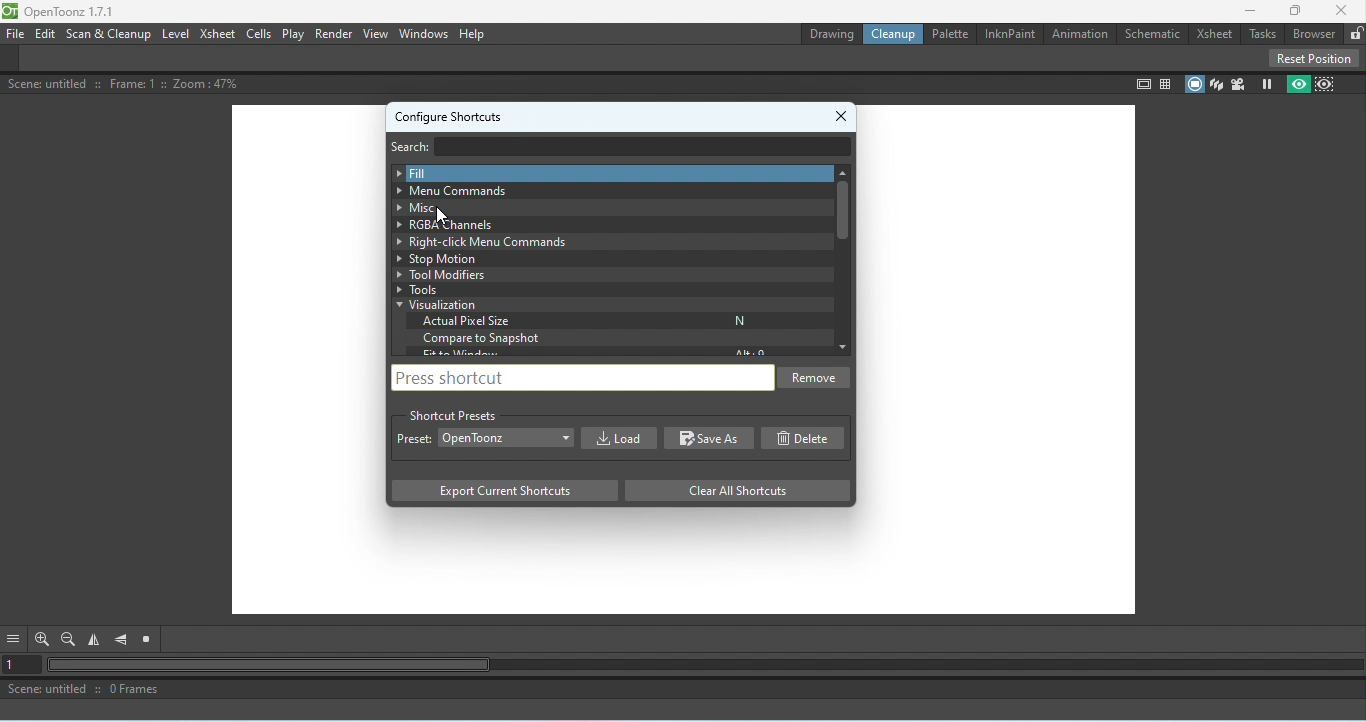  Describe the element at coordinates (97, 641) in the screenshot. I see `Flip horizontal` at that location.